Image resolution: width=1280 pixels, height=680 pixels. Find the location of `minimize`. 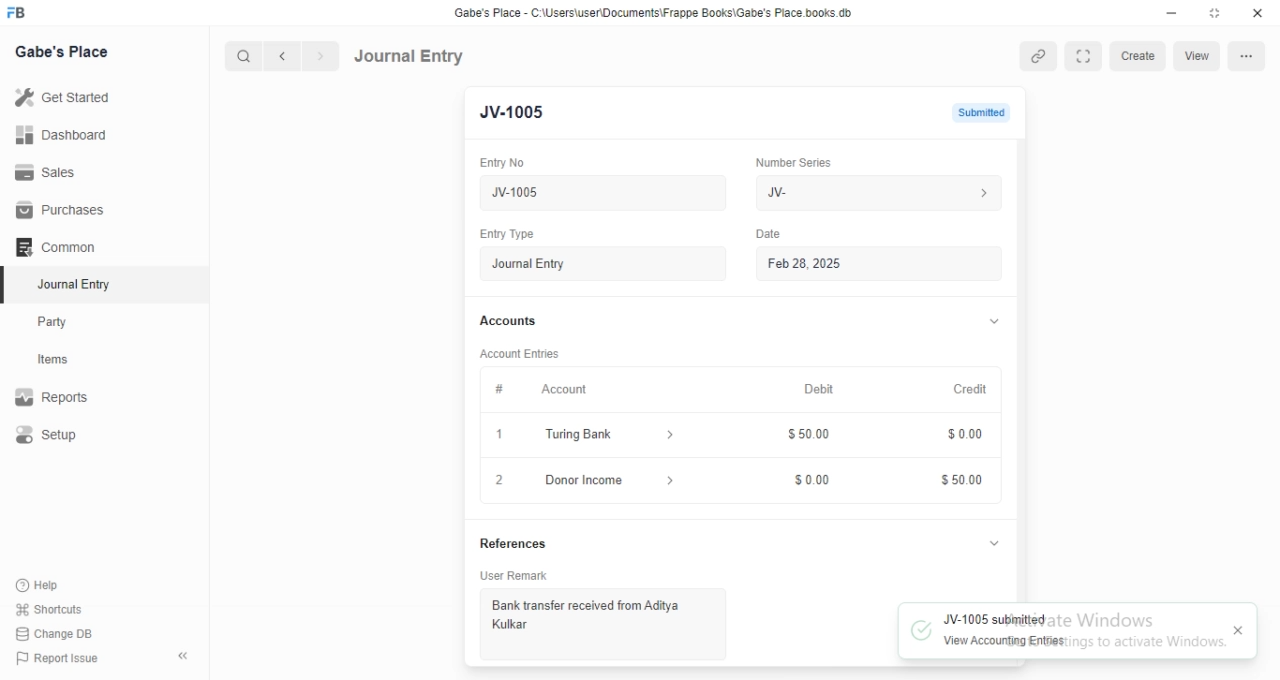

minimize is located at coordinates (1170, 16).